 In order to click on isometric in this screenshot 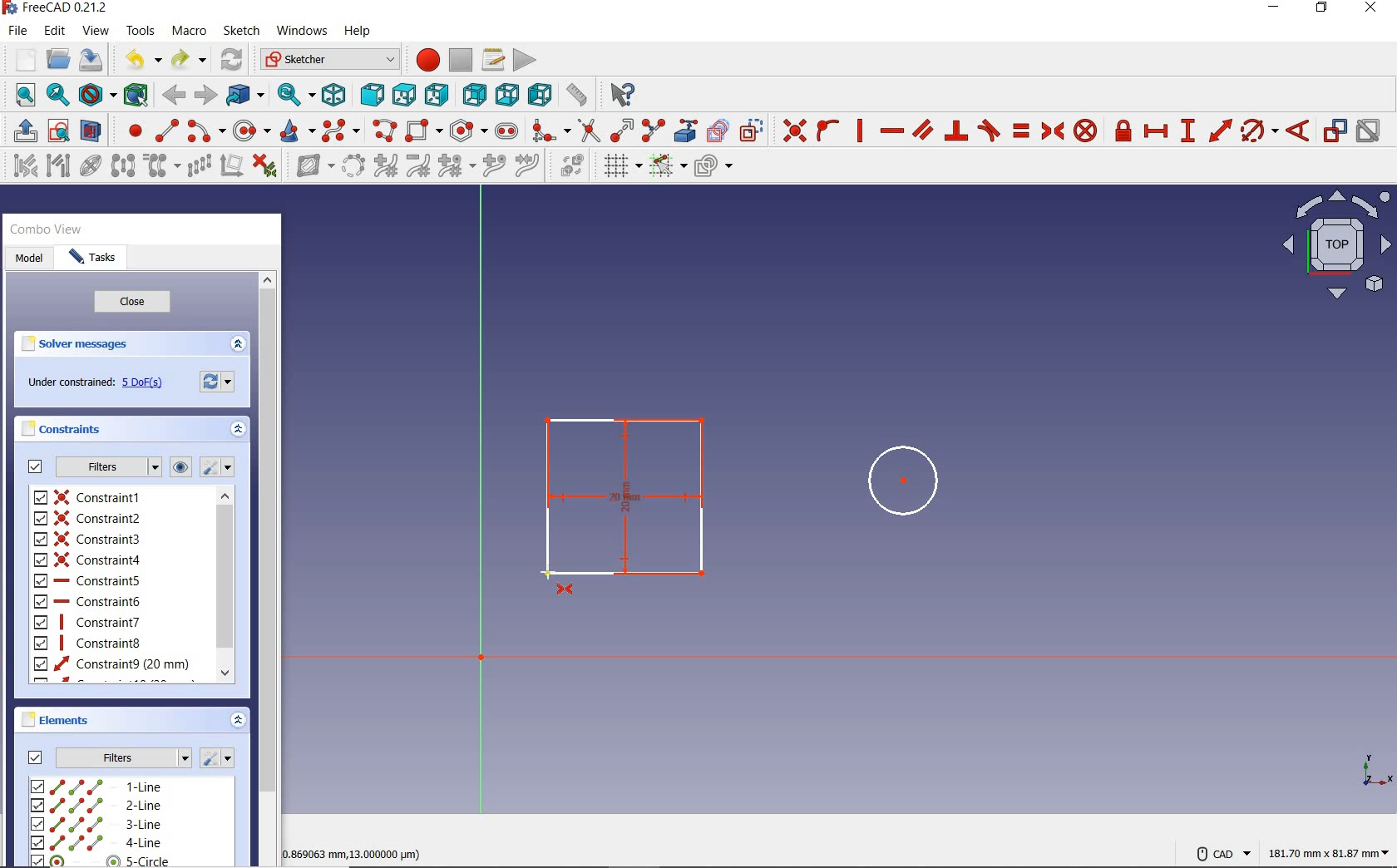, I will do `click(334, 96)`.